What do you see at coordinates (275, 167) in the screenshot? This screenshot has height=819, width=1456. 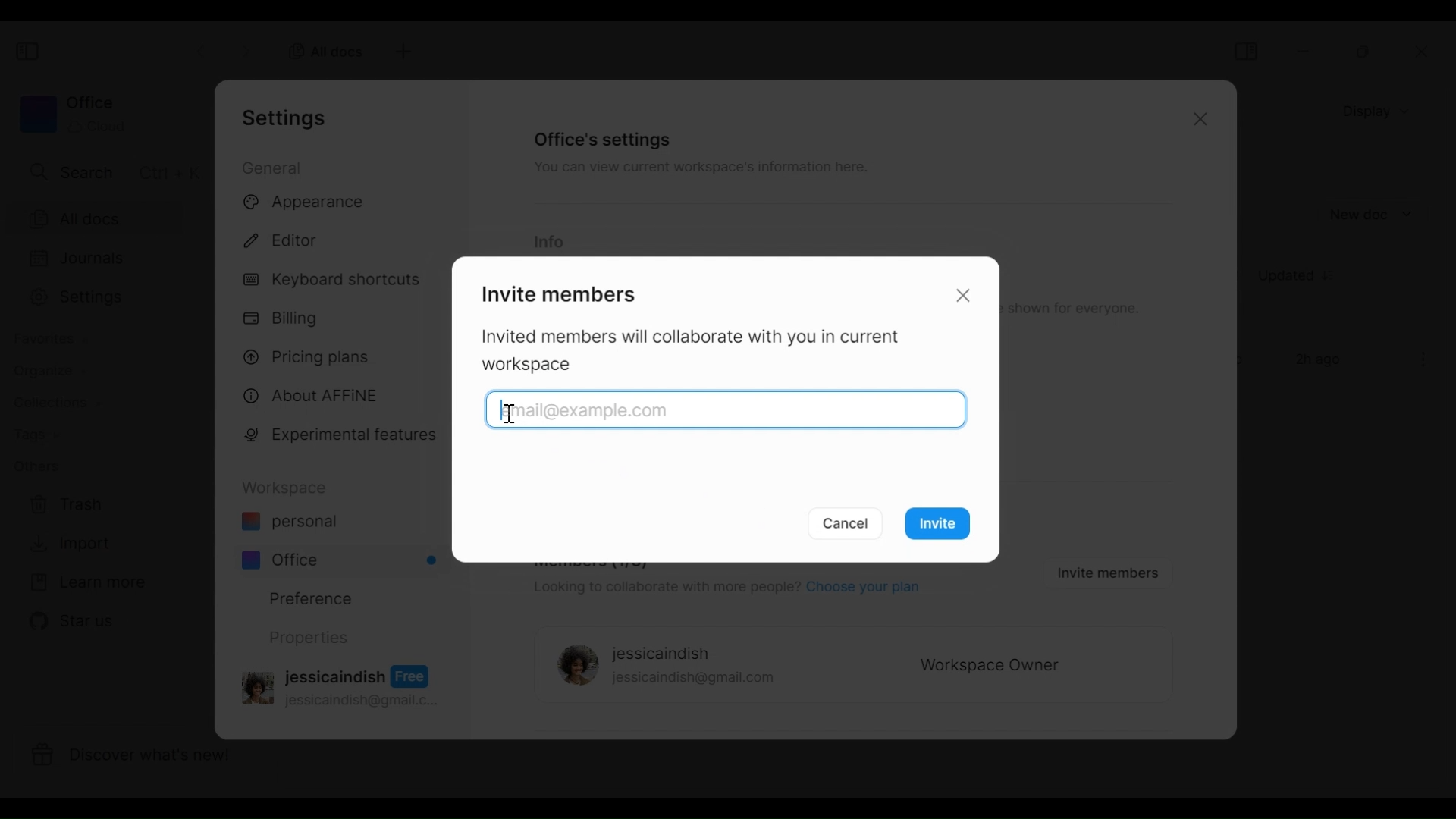 I see `General` at bounding box center [275, 167].